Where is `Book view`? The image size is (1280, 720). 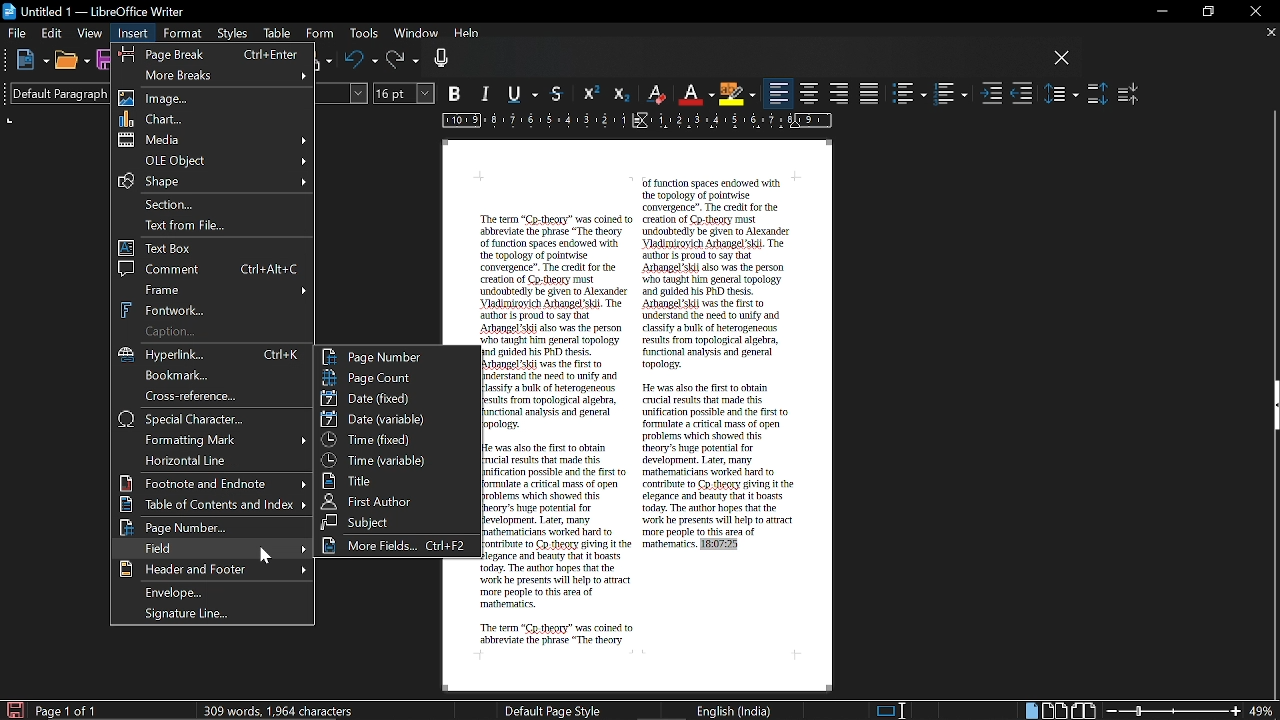
Book view is located at coordinates (1085, 710).